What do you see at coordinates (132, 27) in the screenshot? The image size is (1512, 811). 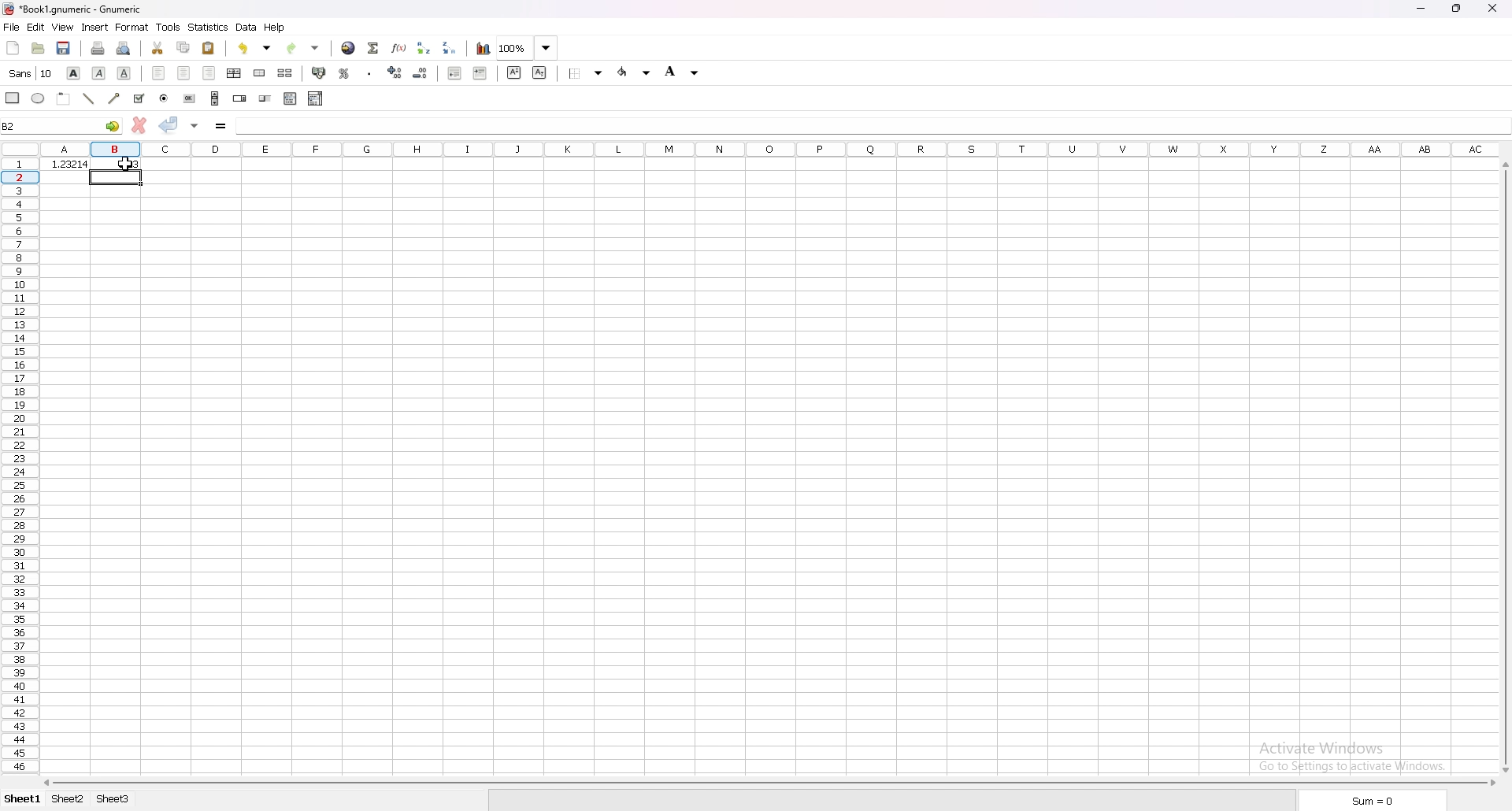 I see `format` at bounding box center [132, 27].